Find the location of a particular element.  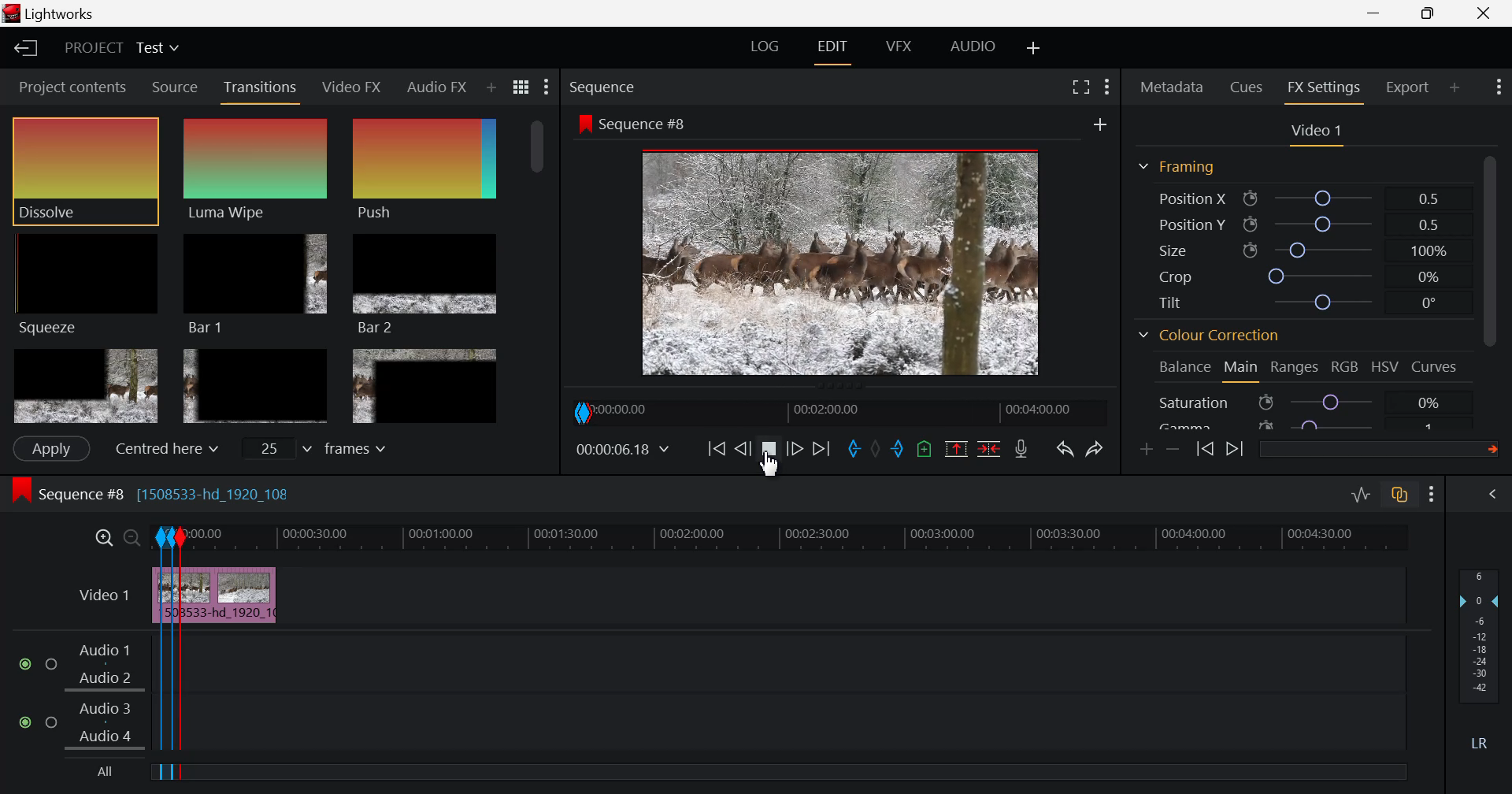

Add panel is located at coordinates (1455, 90).